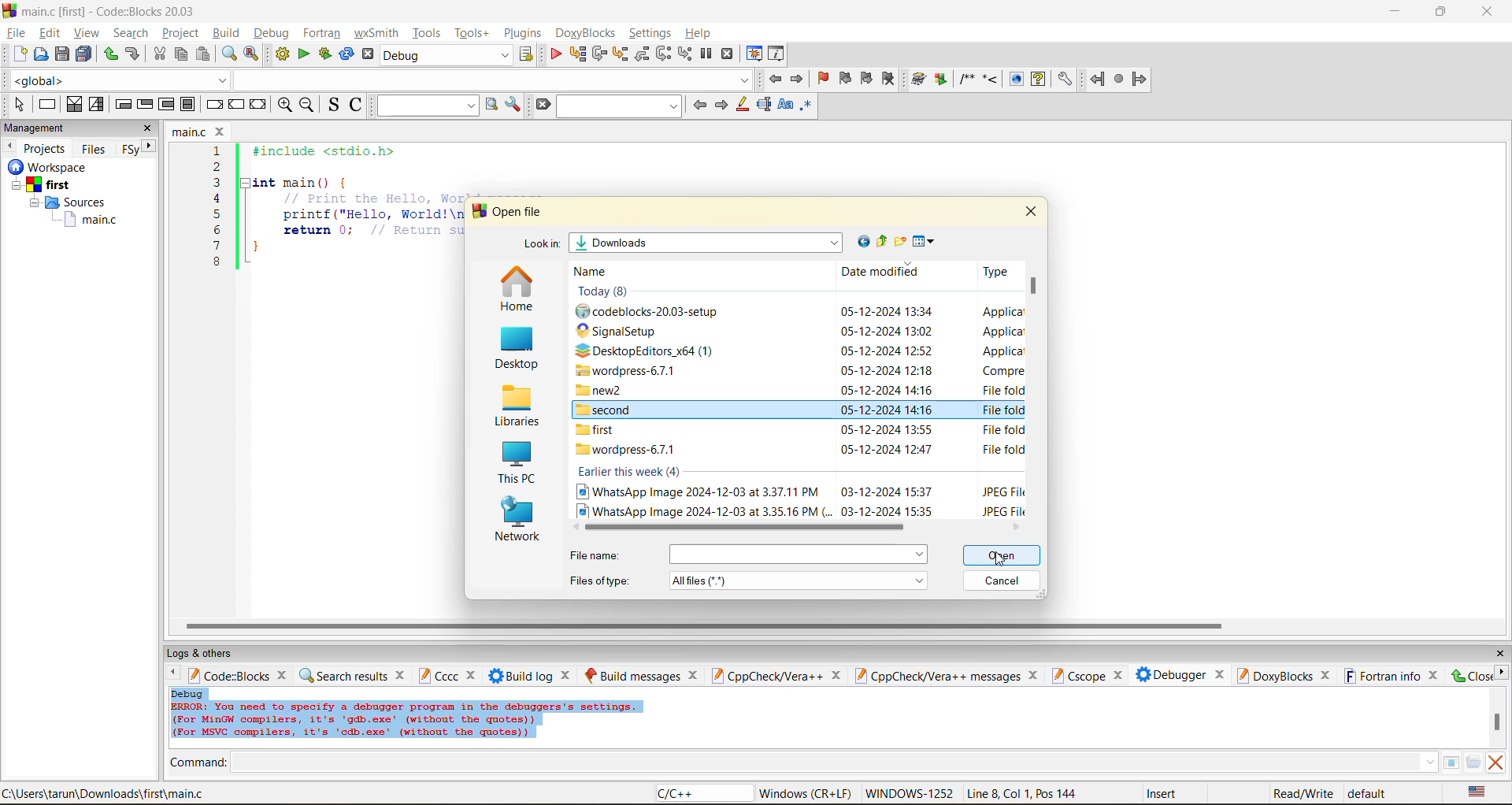 This screenshot has height=805, width=1512. I want to click on date and time, so click(887, 449).